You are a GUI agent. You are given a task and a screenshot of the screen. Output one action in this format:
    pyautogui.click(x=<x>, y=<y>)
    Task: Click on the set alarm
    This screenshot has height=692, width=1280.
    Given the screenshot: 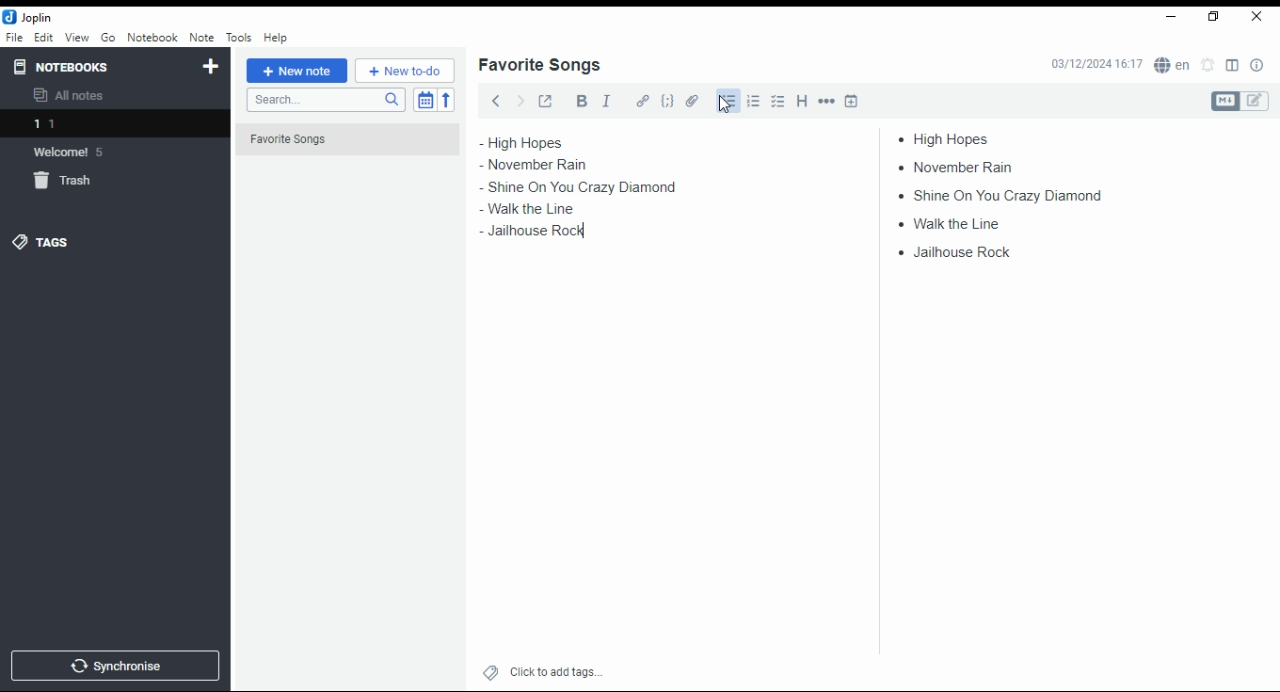 What is the action you would take?
    pyautogui.click(x=1209, y=65)
    